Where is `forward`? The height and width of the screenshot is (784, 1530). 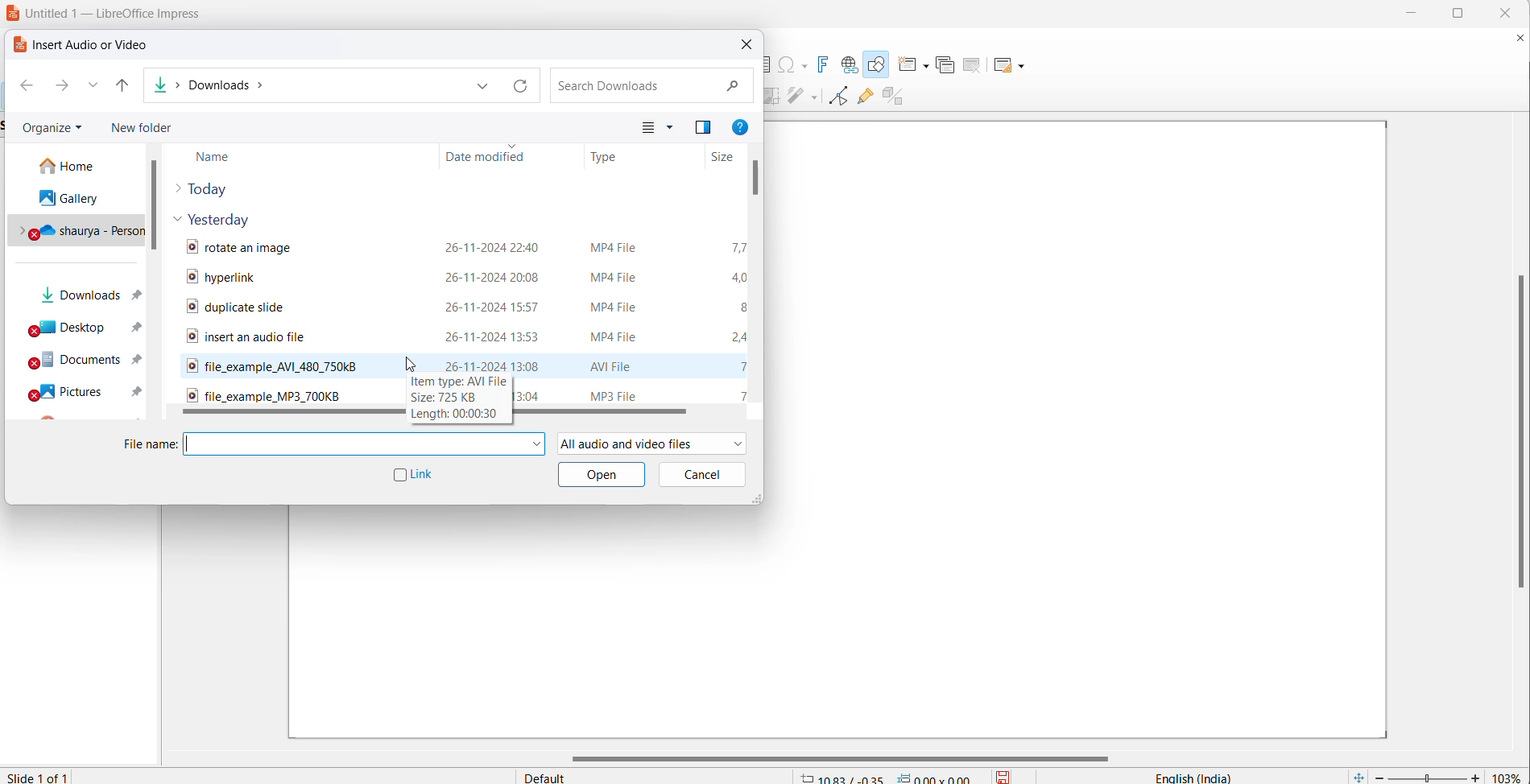
forward is located at coordinates (62, 86).